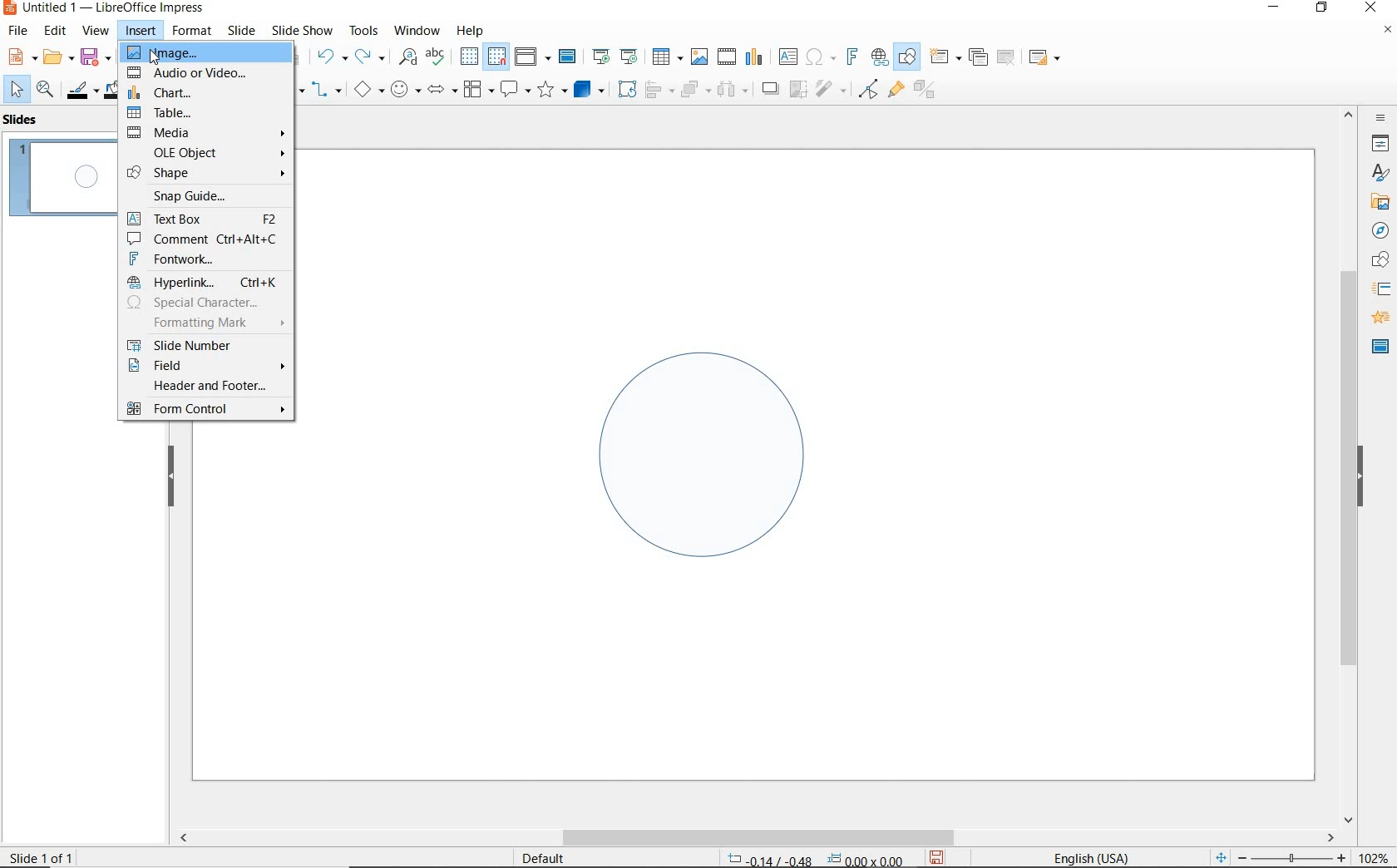 The image size is (1397, 868). Describe the element at coordinates (551, 91) in the screenshot. I see `stars and banners` at that location.